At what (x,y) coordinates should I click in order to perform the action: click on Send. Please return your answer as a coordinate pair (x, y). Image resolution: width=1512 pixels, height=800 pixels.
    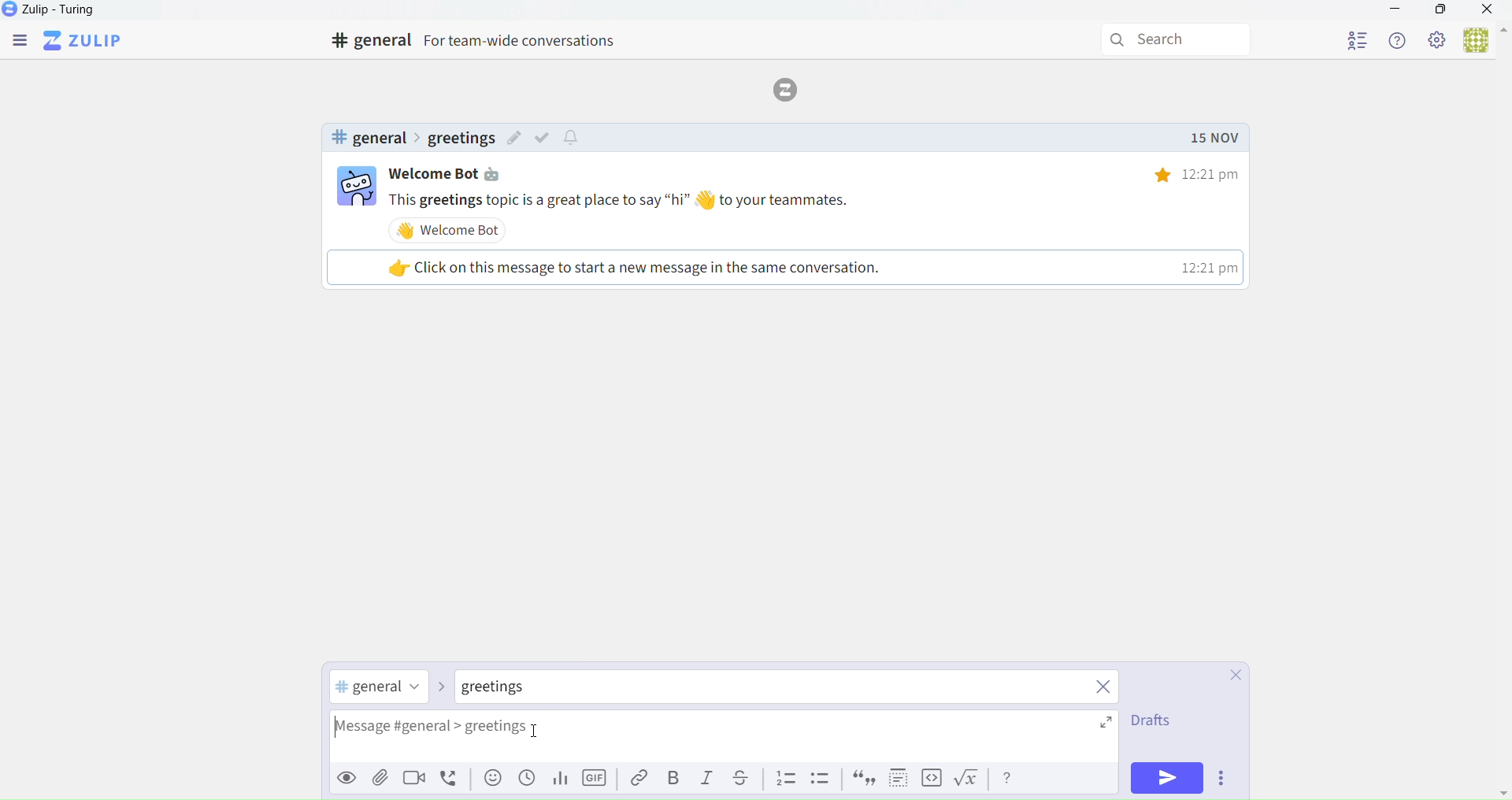
    Looking at the image, I should click on (1169, 778).